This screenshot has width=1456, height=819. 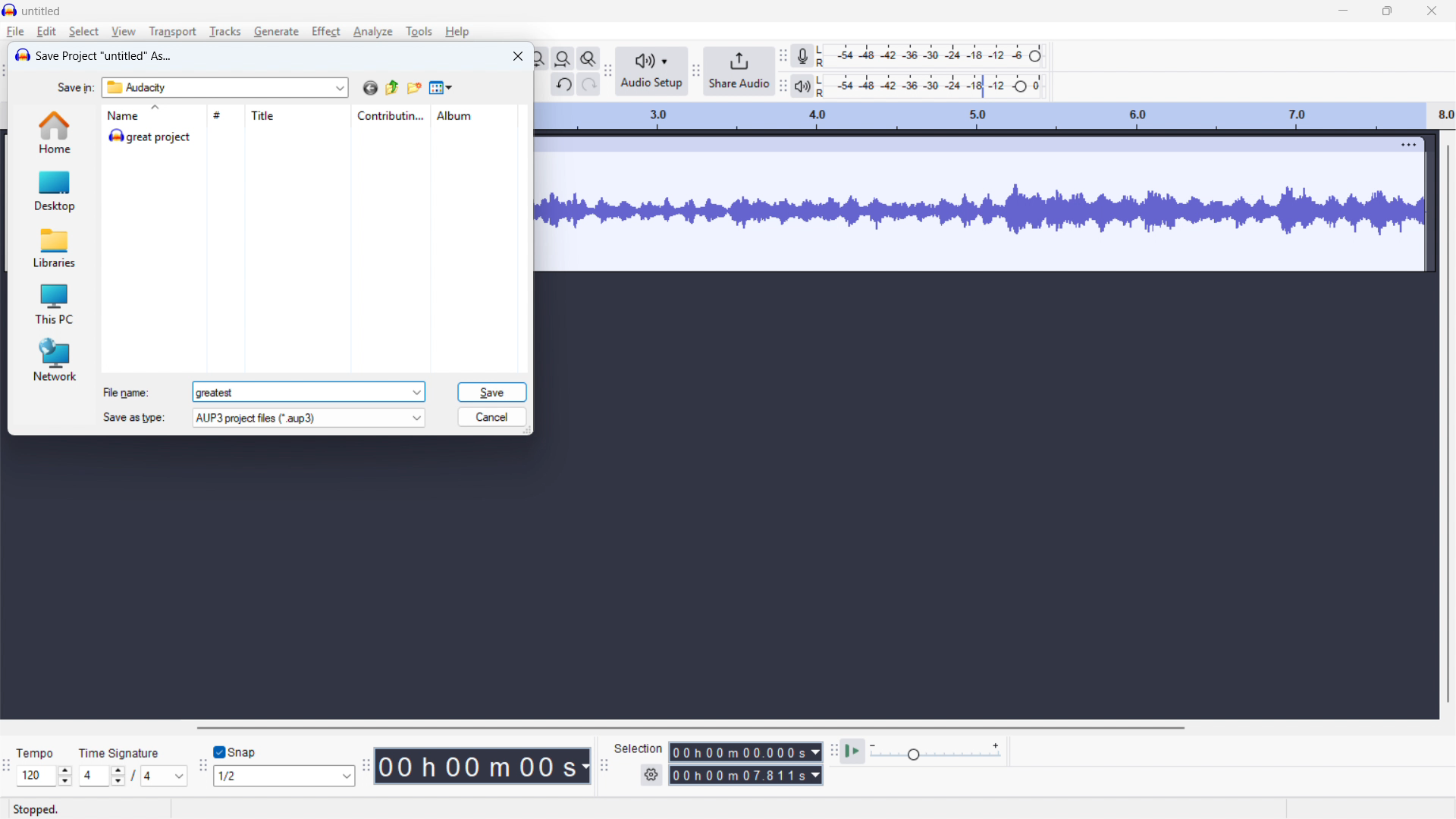 What do you see at coordinates (77, 88) in the screenshot?
I see `save in` at bounding box center [77, 88].